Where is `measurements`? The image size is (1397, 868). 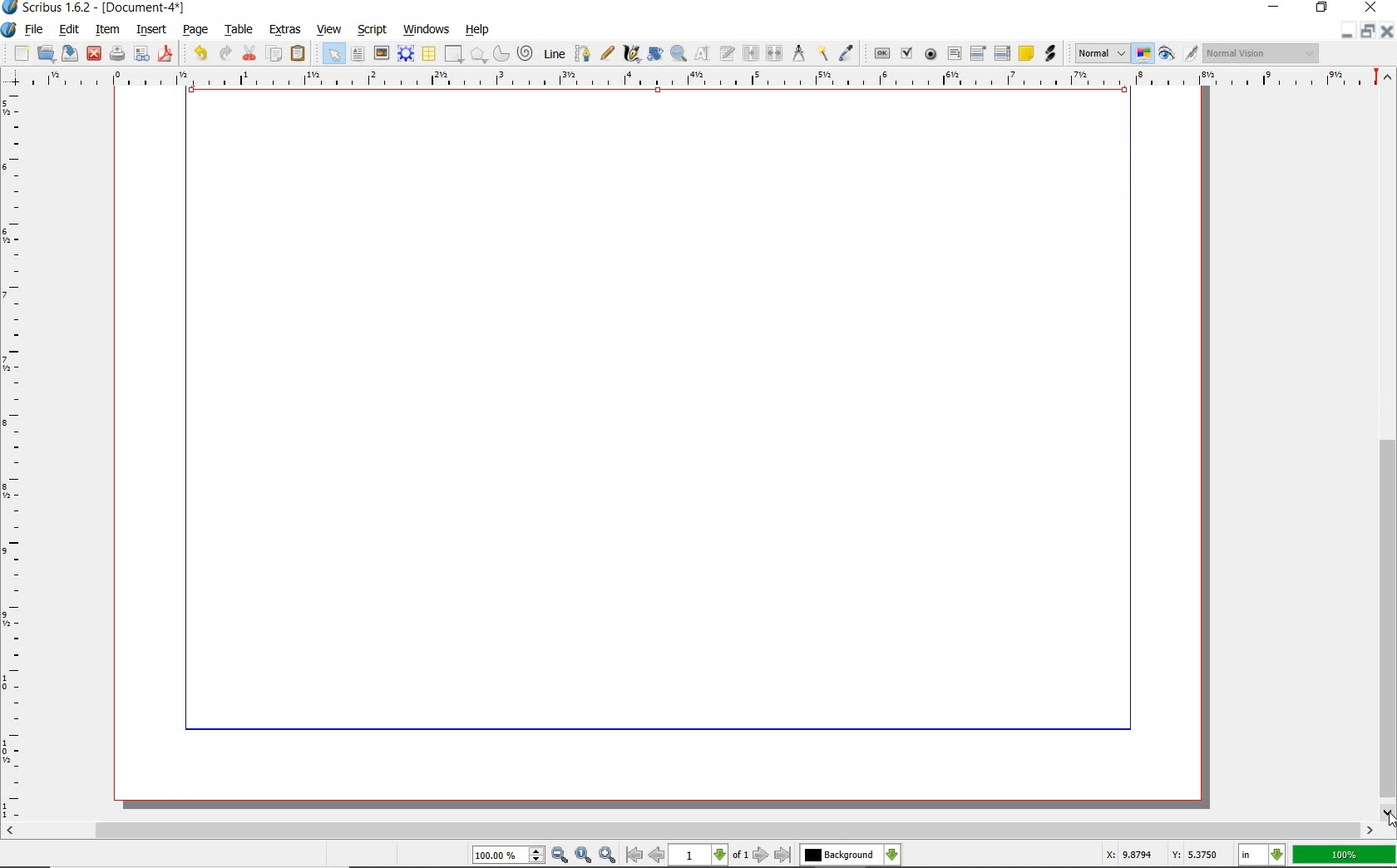 measurements is located at coordinates (798, 54).